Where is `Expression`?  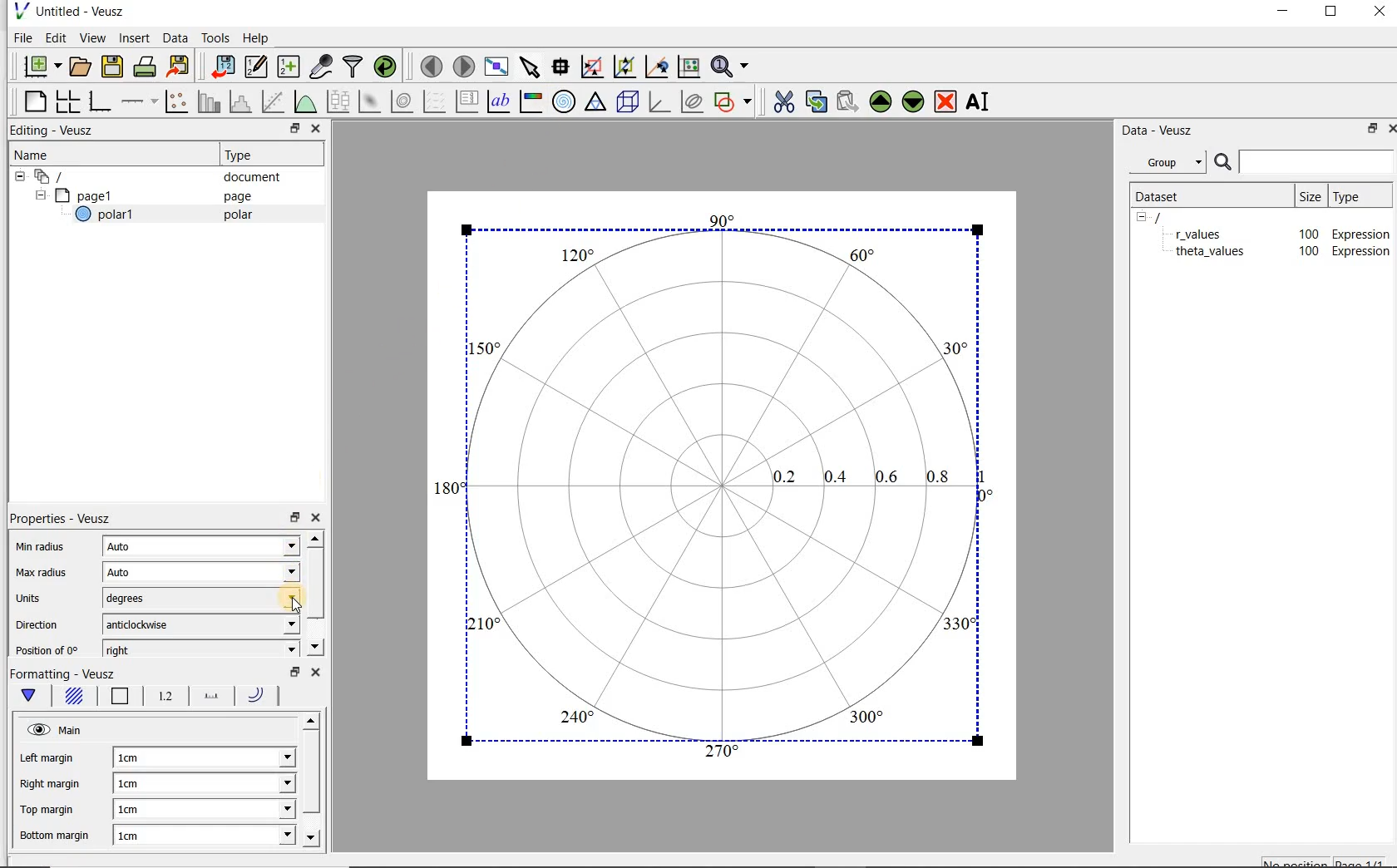 Expression is located at coordinates (1358, 230).